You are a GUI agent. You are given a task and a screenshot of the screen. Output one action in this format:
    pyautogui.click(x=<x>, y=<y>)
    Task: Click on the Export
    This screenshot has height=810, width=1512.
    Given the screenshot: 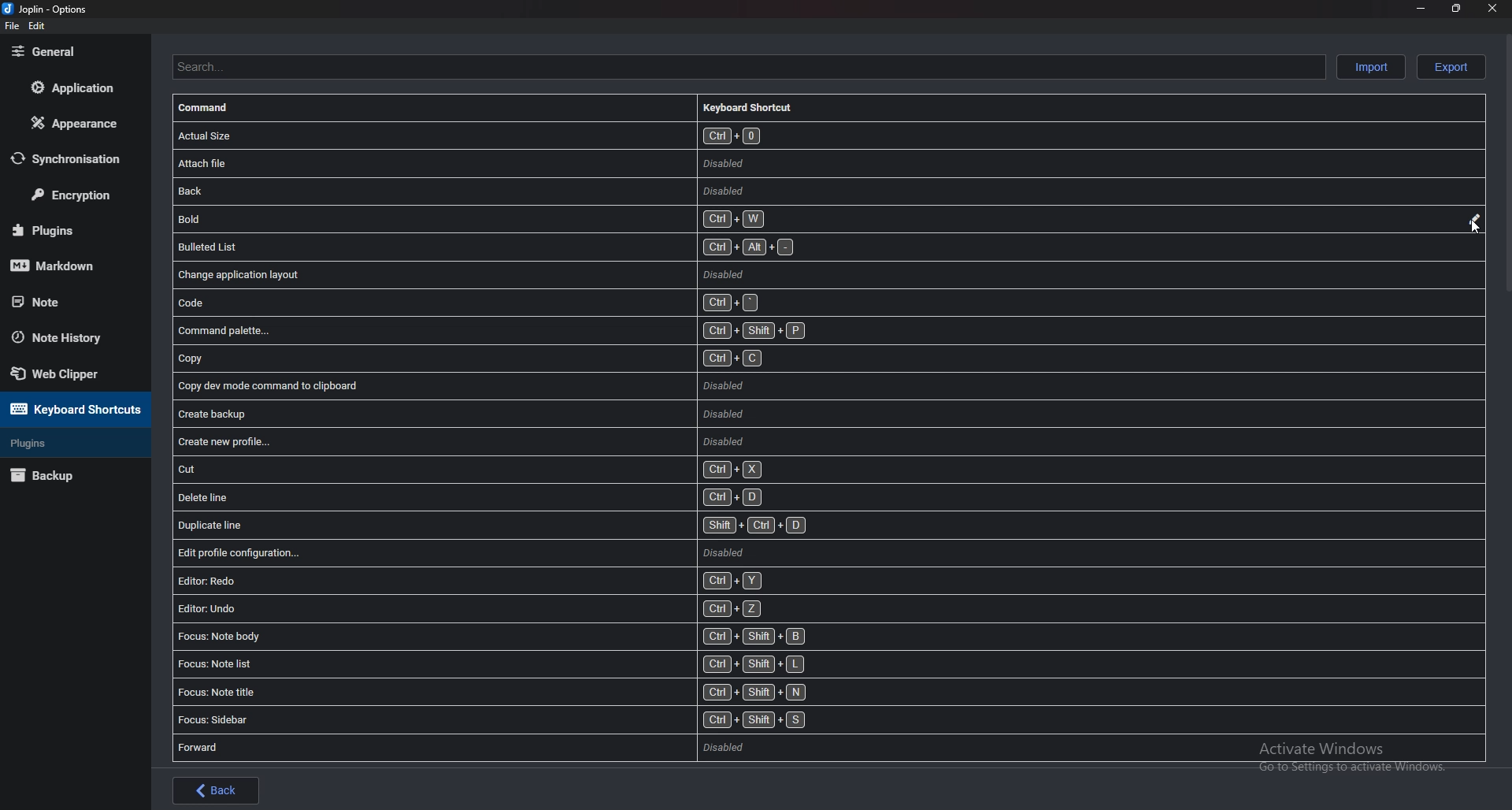 What is the action you would take?
    pyautogui.click(x=1448, y=67)
    